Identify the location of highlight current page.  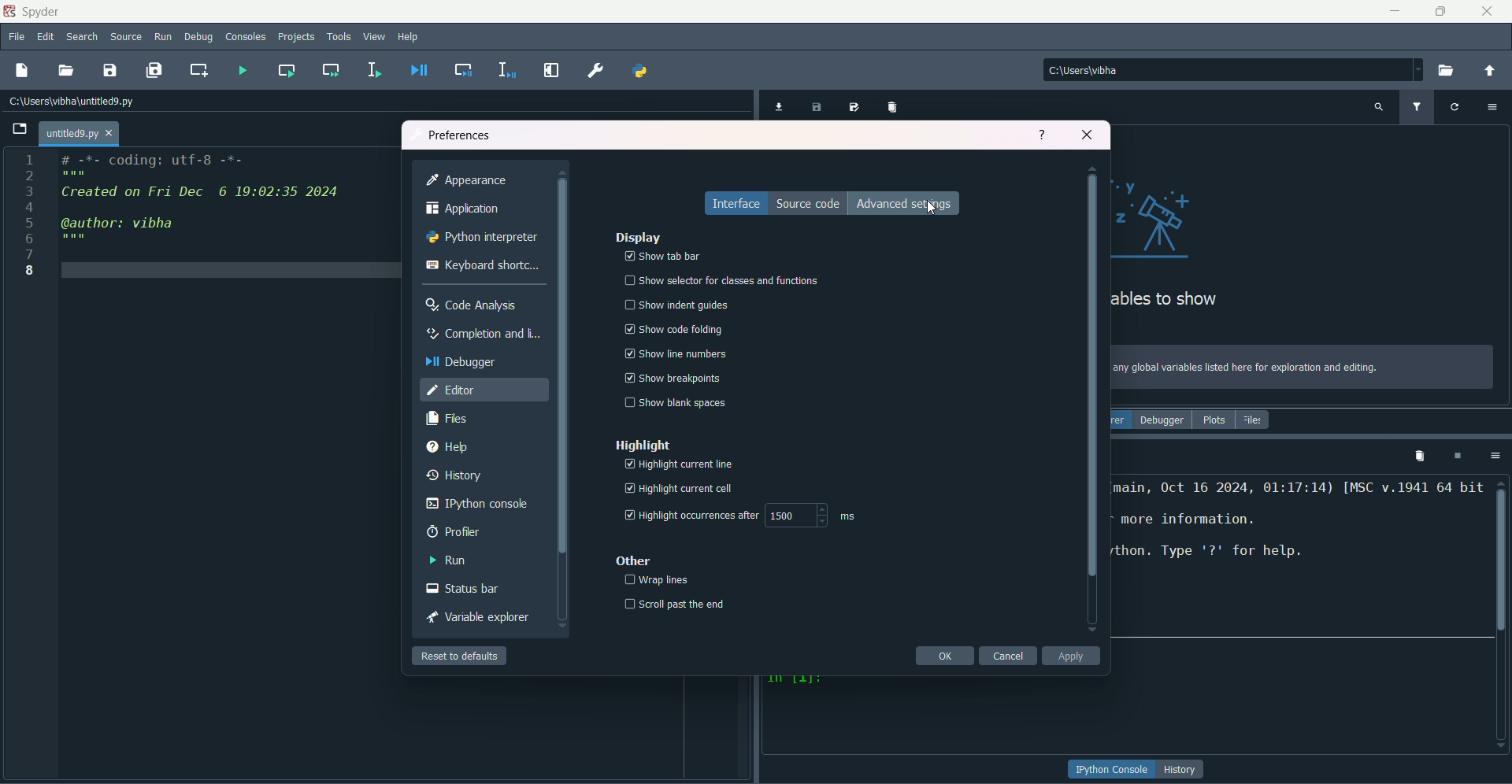
(679, 467).